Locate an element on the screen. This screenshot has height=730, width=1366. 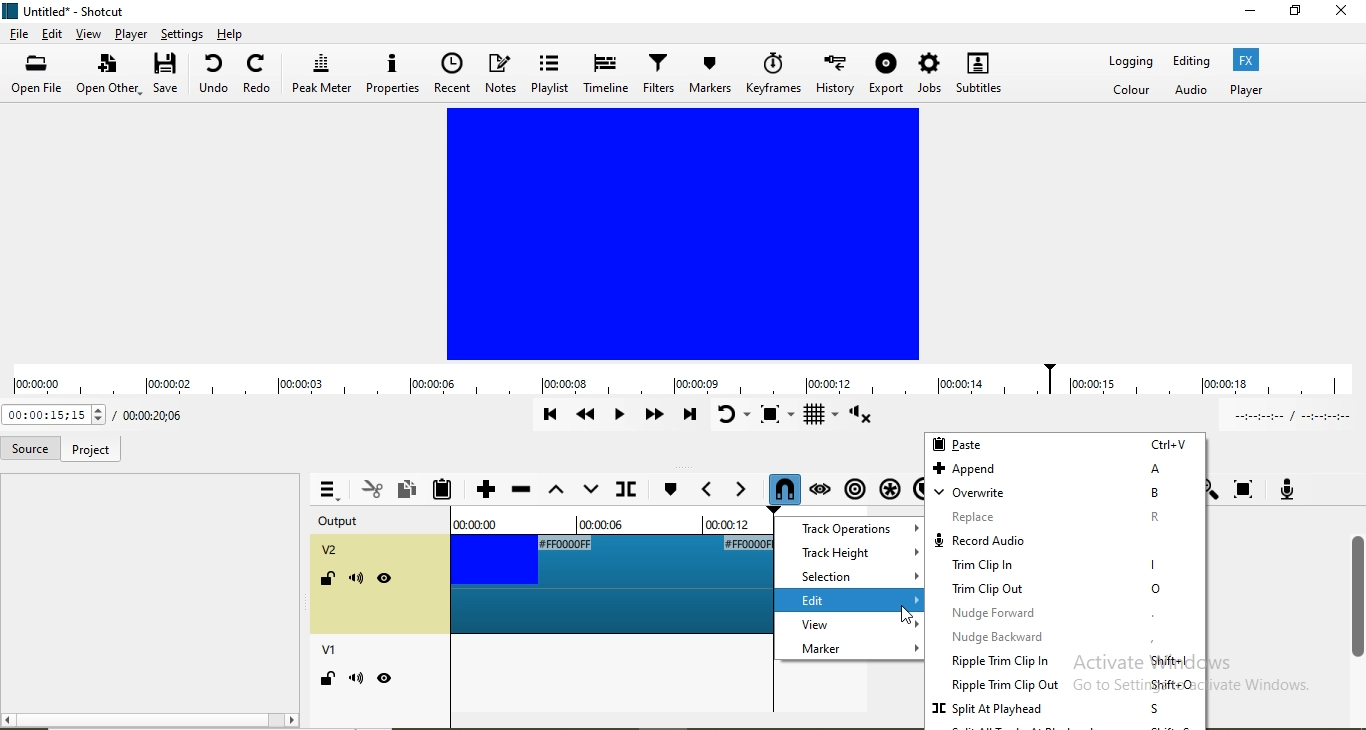
Fx is located at coordinates (1248, 59).